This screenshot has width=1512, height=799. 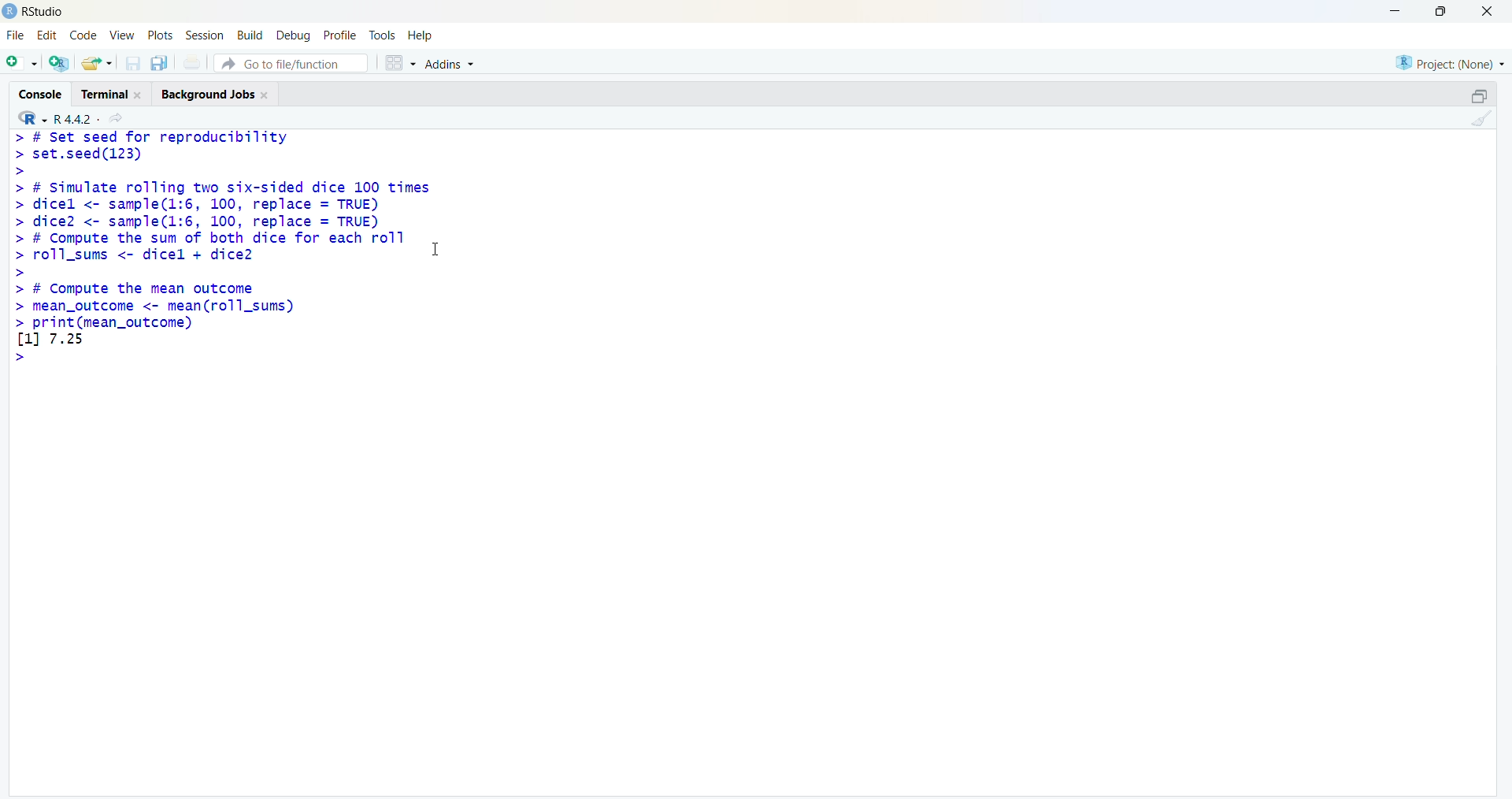 I want to click on minimise, so click(x=1397, y=9).